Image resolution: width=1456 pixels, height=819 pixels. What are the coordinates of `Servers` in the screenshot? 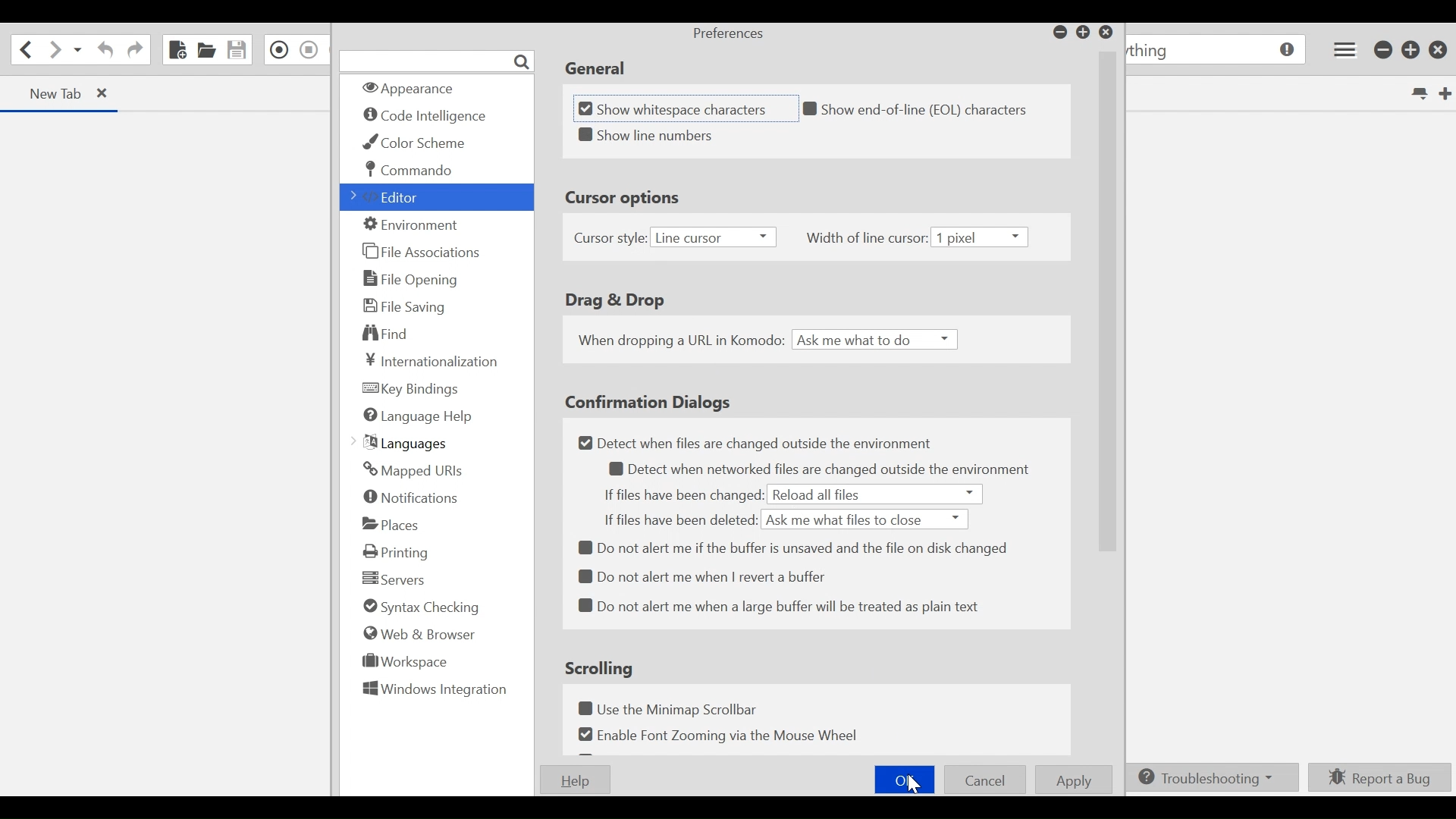 It's located at (394, 578).